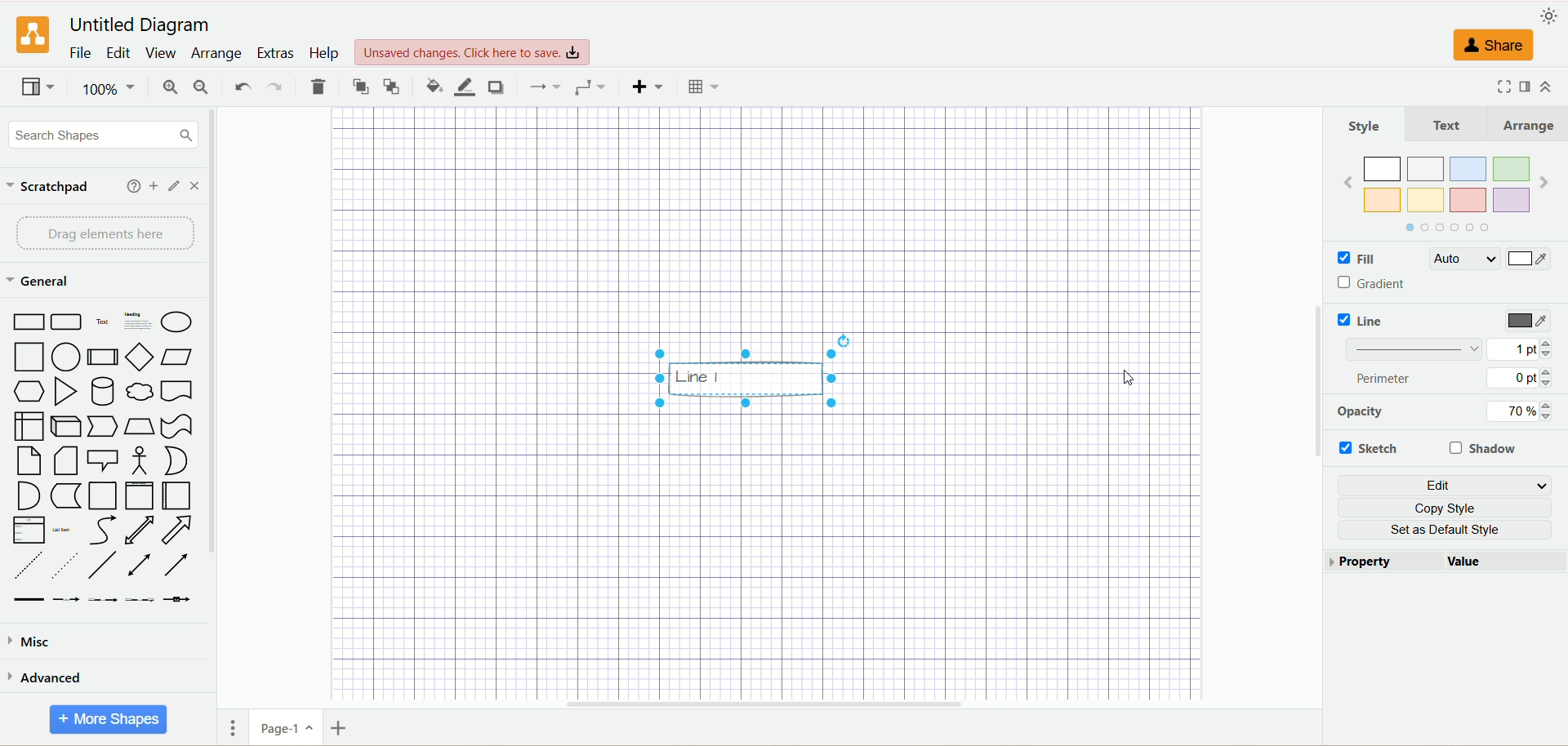 This screenshot has height=746, width=1568. What do you see at coordinates (117, 53) in the screenshot?
I see `edit` at bounding box center [117, 53].